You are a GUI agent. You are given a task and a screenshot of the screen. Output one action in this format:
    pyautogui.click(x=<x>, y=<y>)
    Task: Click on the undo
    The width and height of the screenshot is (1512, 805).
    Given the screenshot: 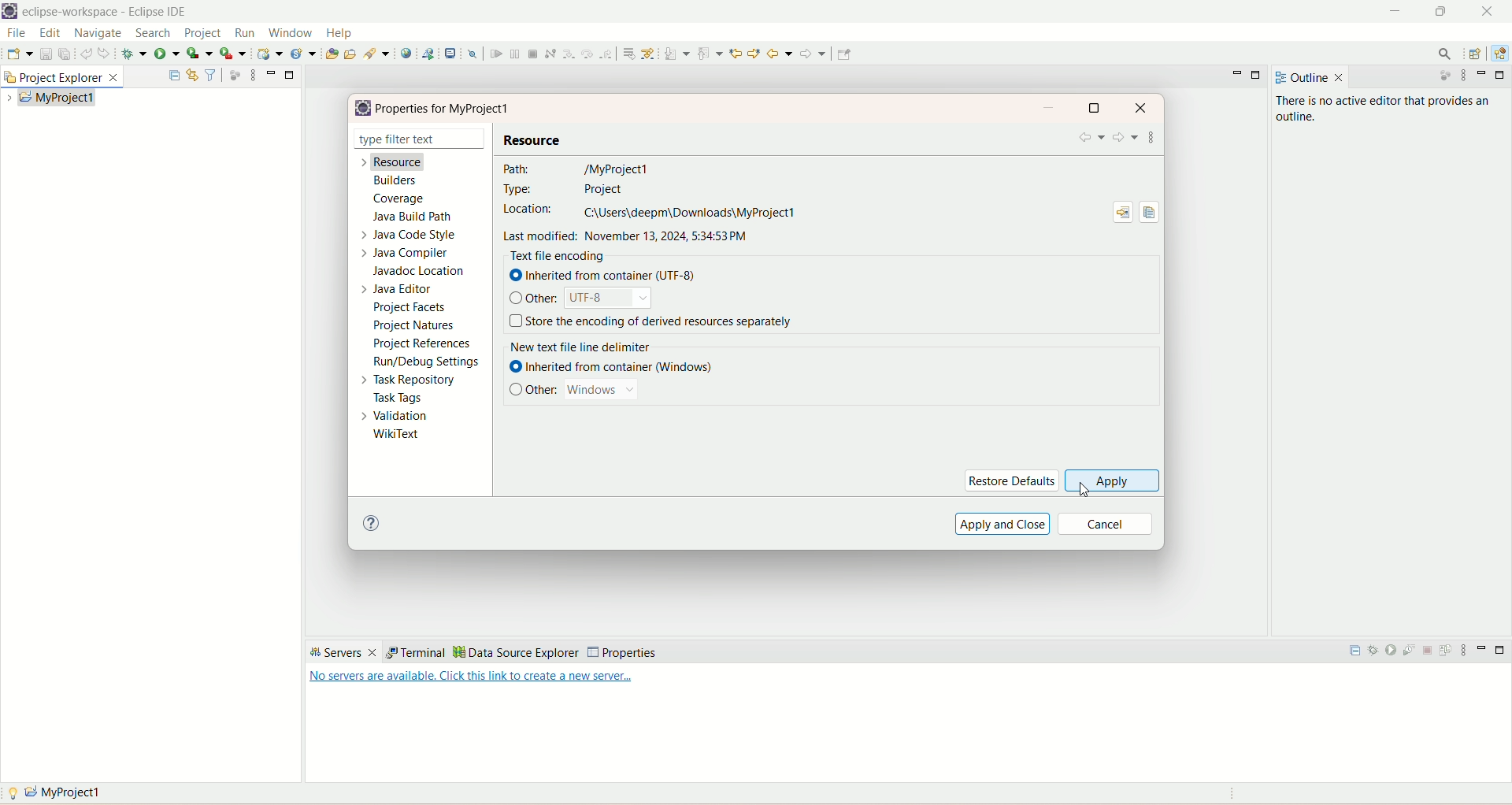 What is the action you would take?
    pyautogui.click(x=86, y=52)
    